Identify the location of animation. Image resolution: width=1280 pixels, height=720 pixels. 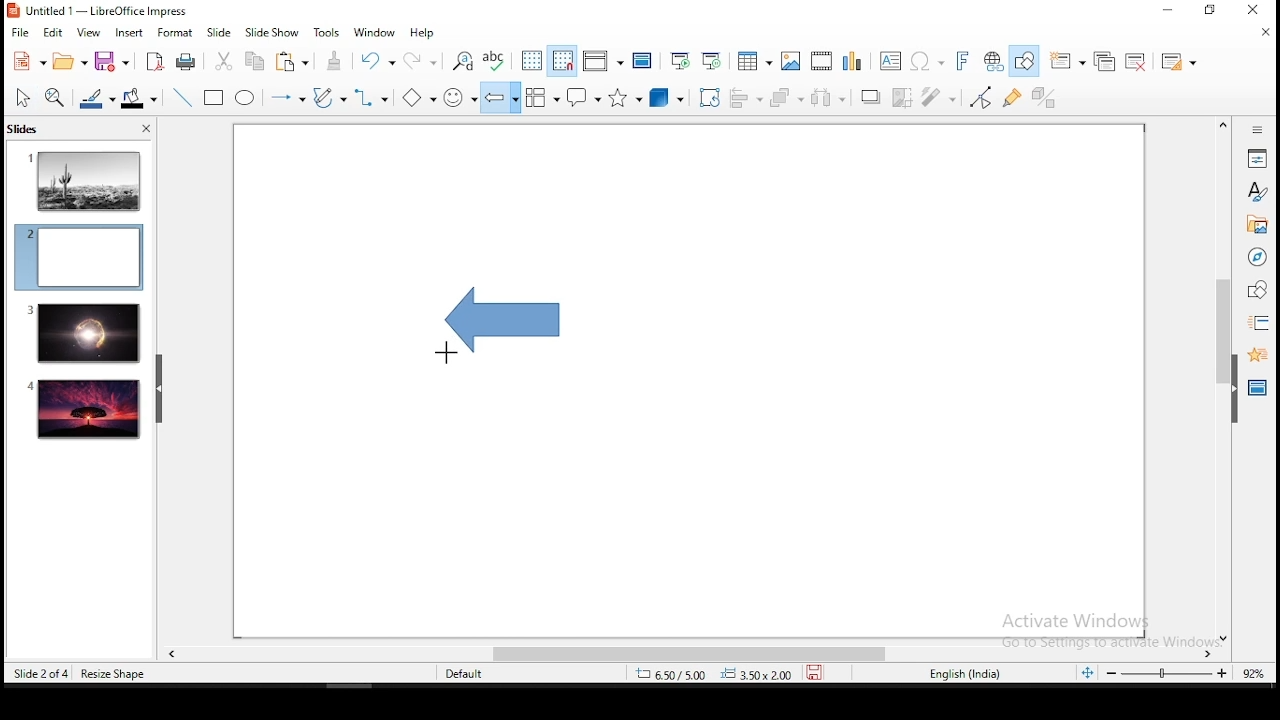
(1255, 353).